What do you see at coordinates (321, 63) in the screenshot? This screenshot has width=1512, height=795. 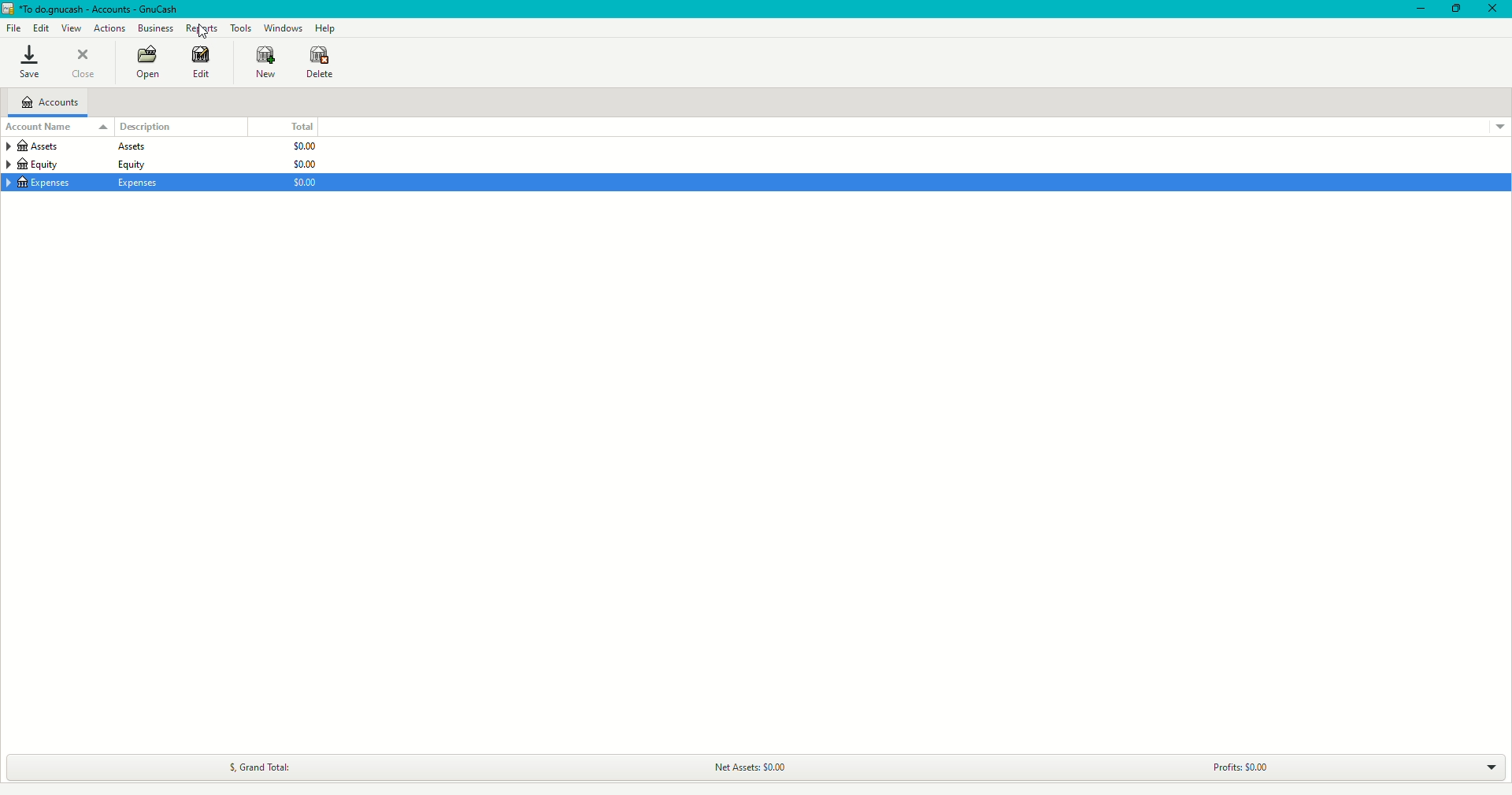 I see `Delete` at bounding box center [321, 63].